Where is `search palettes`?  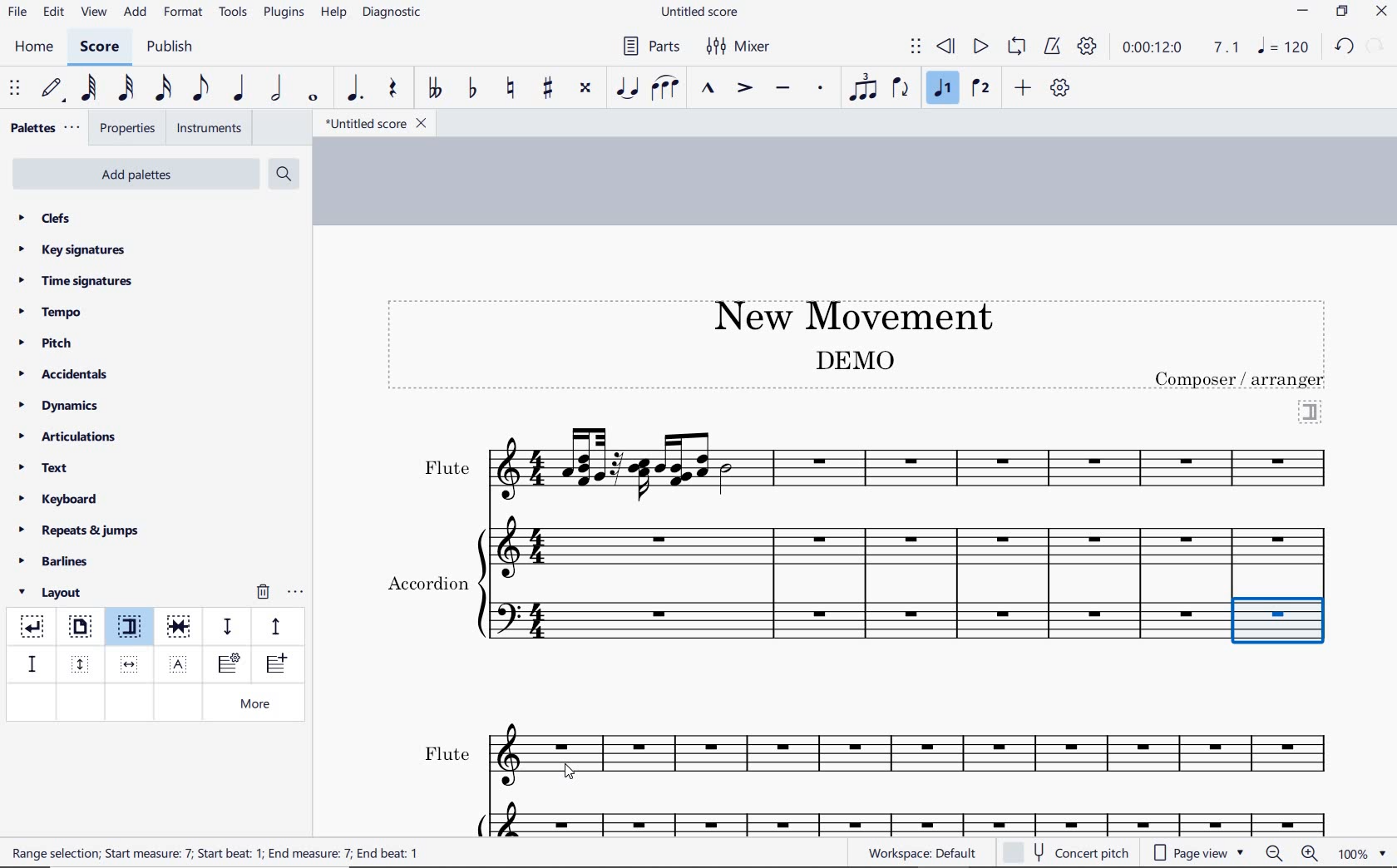 search palettes is located at coordinates (282, 175).